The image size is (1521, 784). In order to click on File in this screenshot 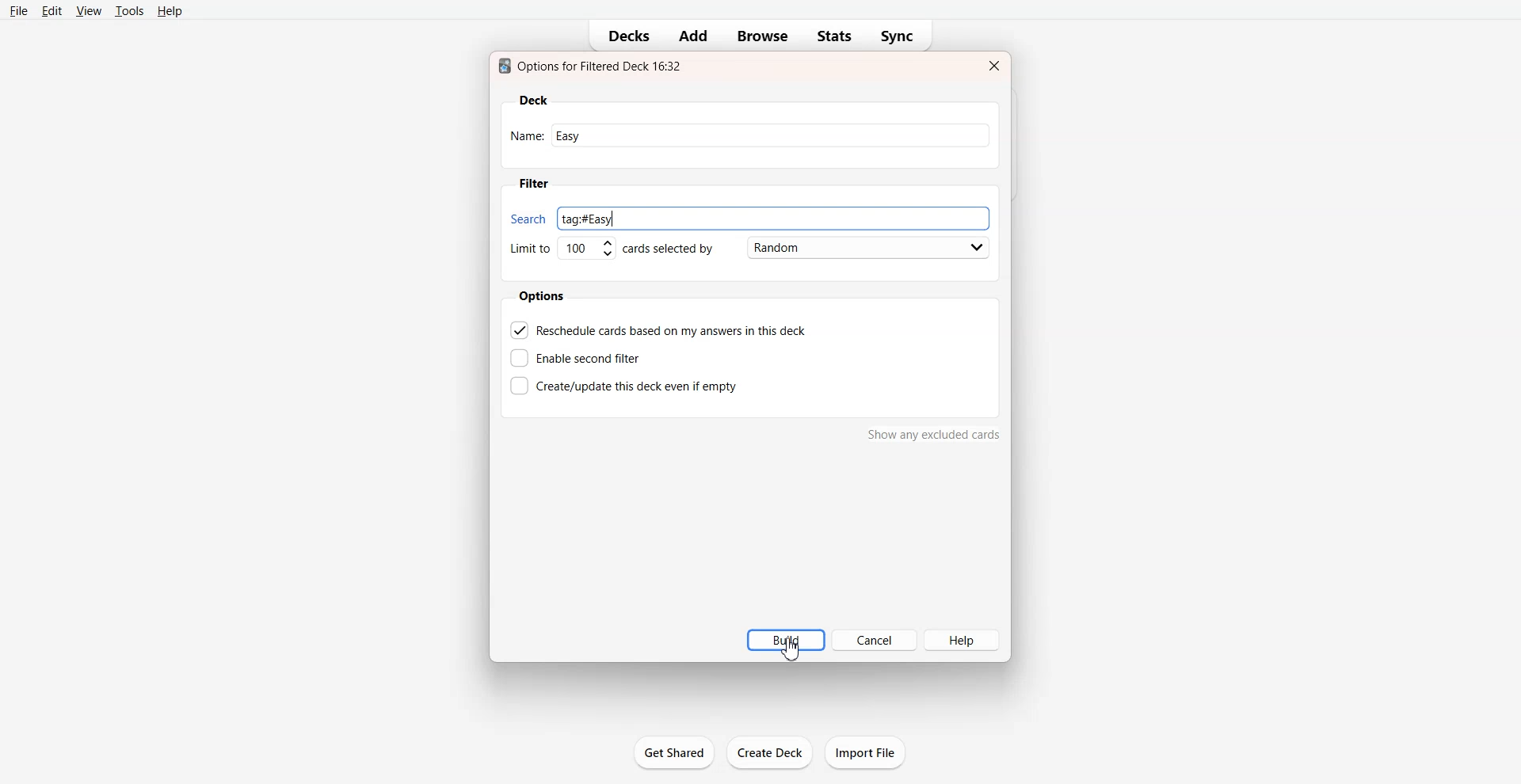, I will do `click(19, 10)`.